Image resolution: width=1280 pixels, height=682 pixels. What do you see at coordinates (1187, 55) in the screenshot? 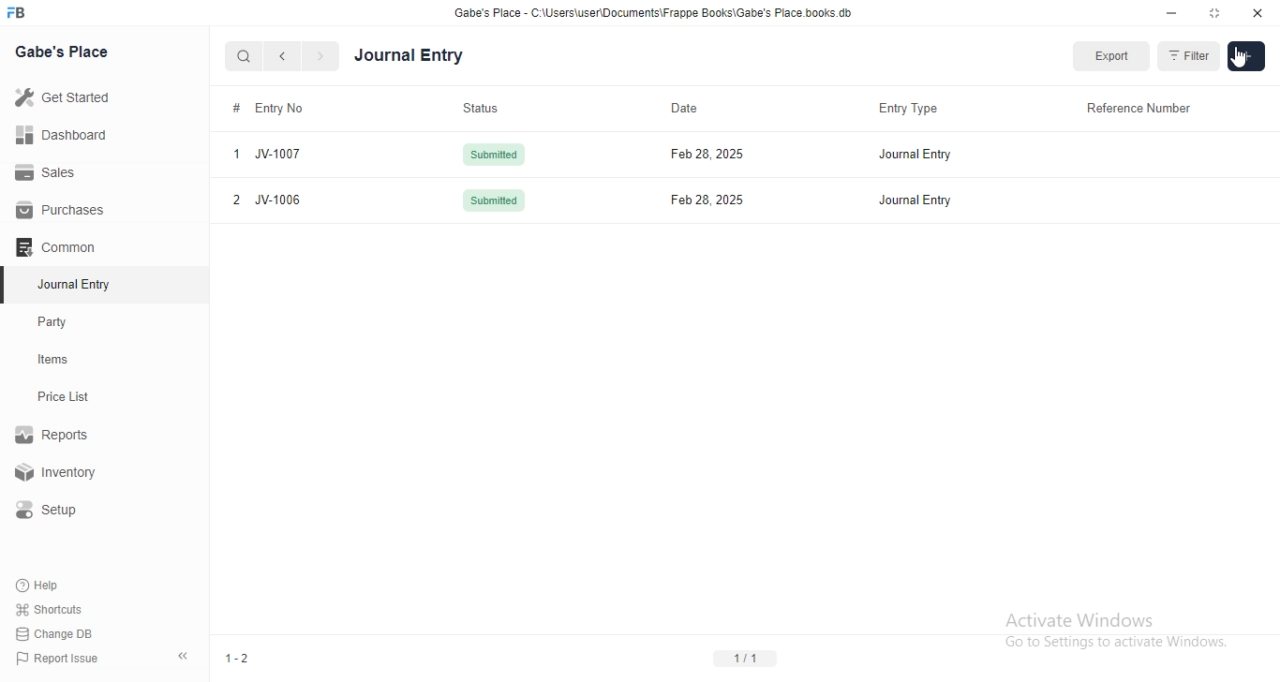
I see `Filter` at bounding box center [1187, 55].